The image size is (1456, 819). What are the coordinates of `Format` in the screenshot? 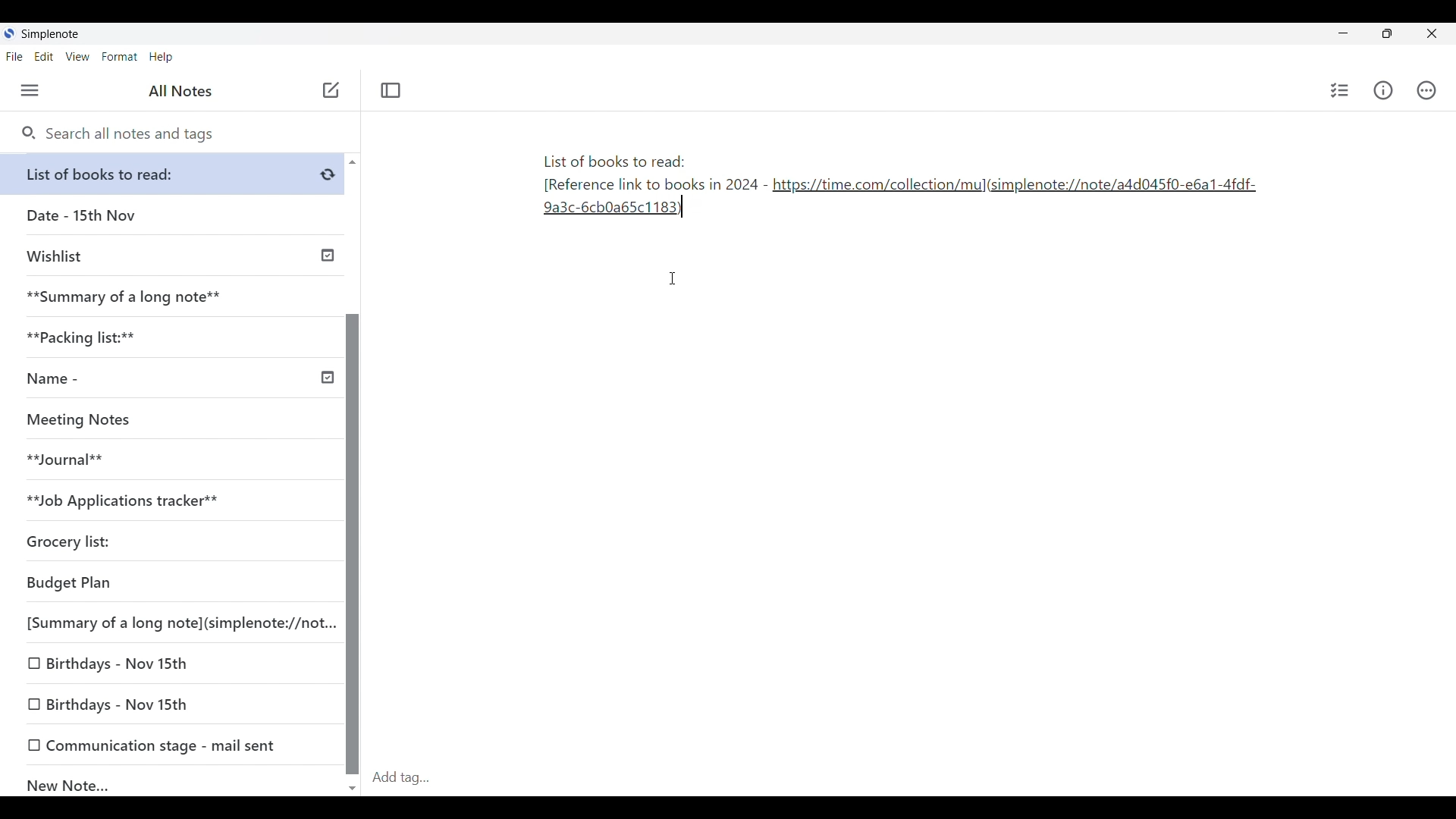 It's located at (120, 57).